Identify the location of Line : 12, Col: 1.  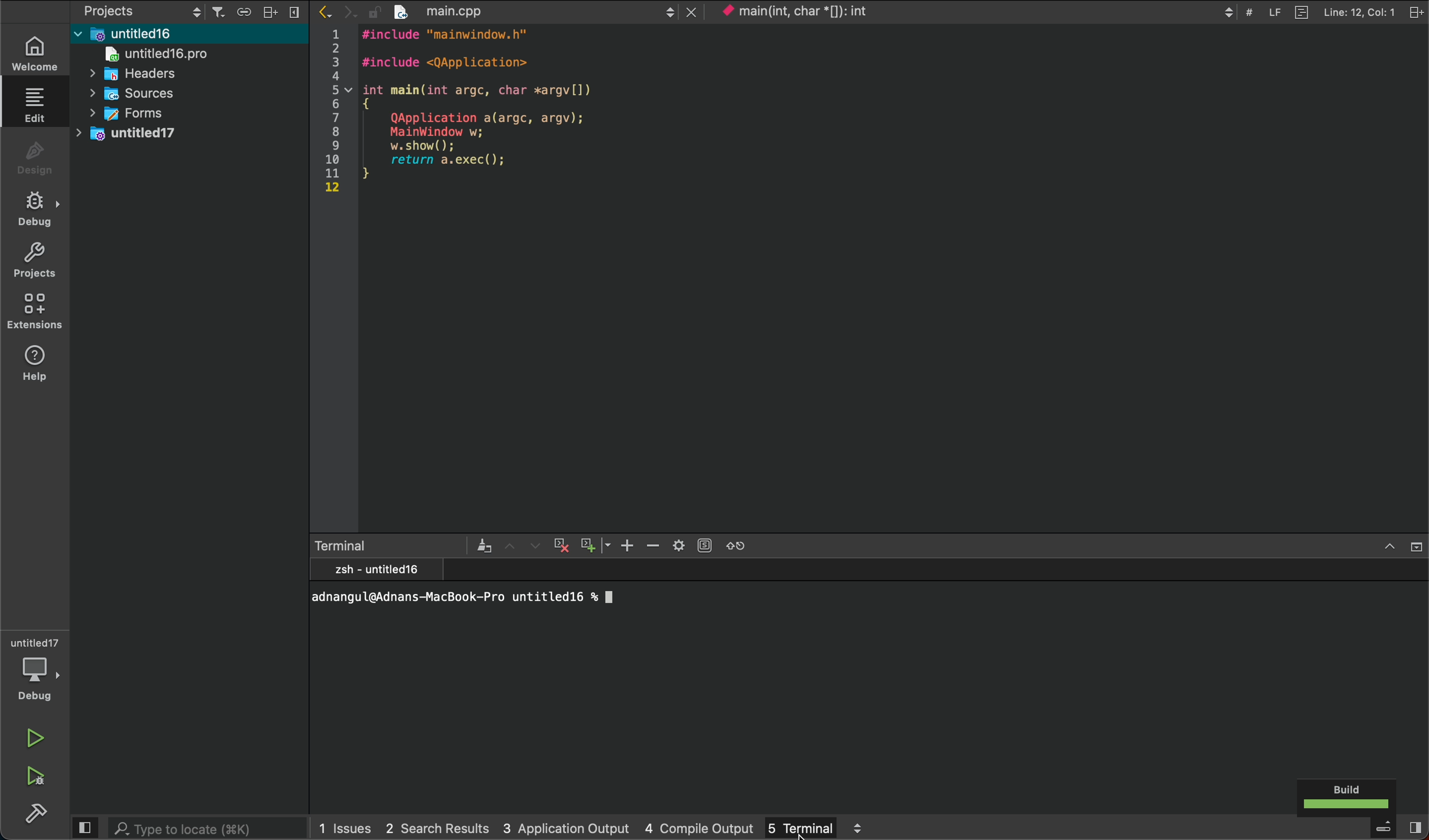
(1359, 12).